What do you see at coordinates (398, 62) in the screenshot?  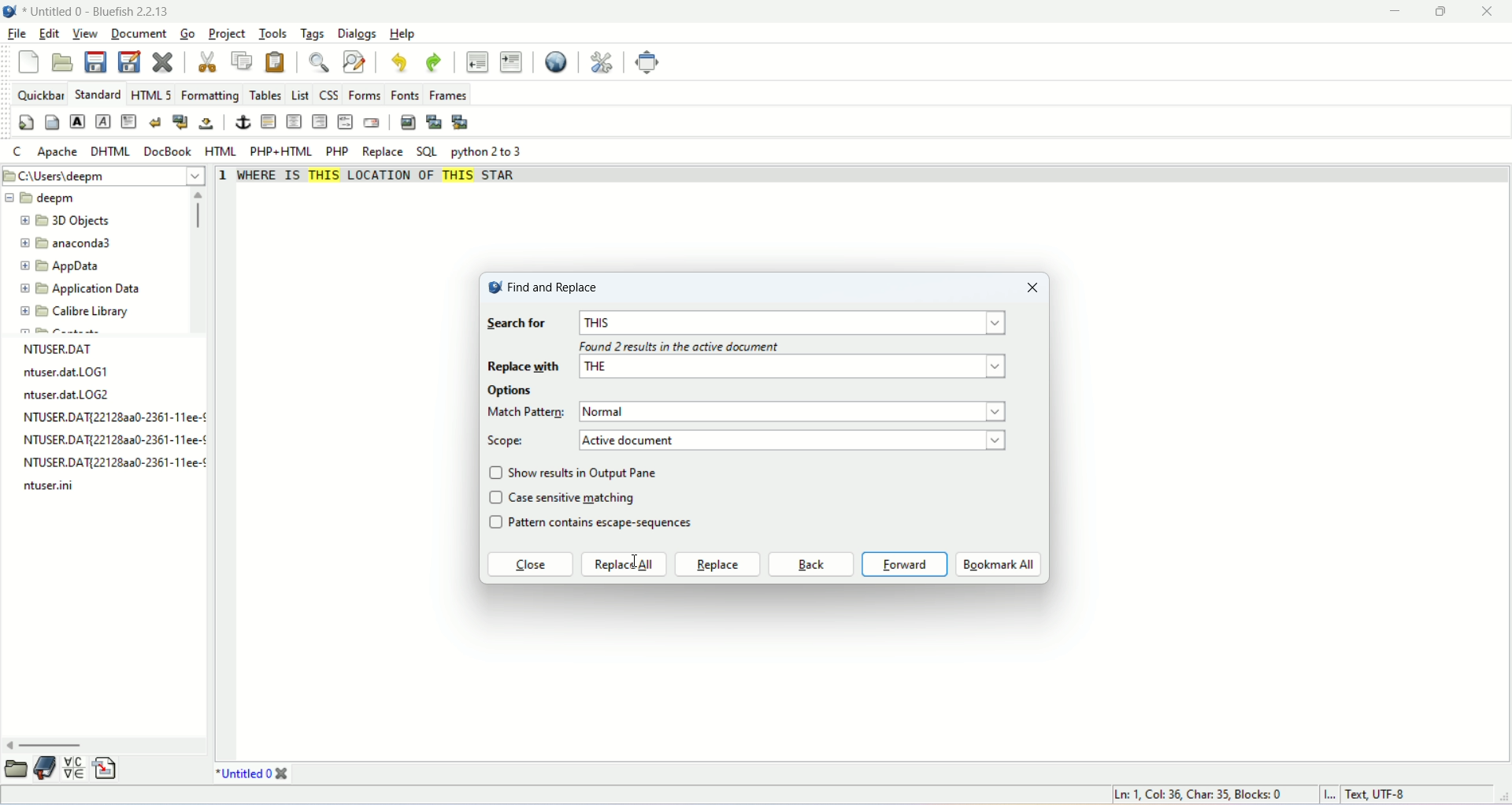 I see `undo` at bounding box center [398, 62].